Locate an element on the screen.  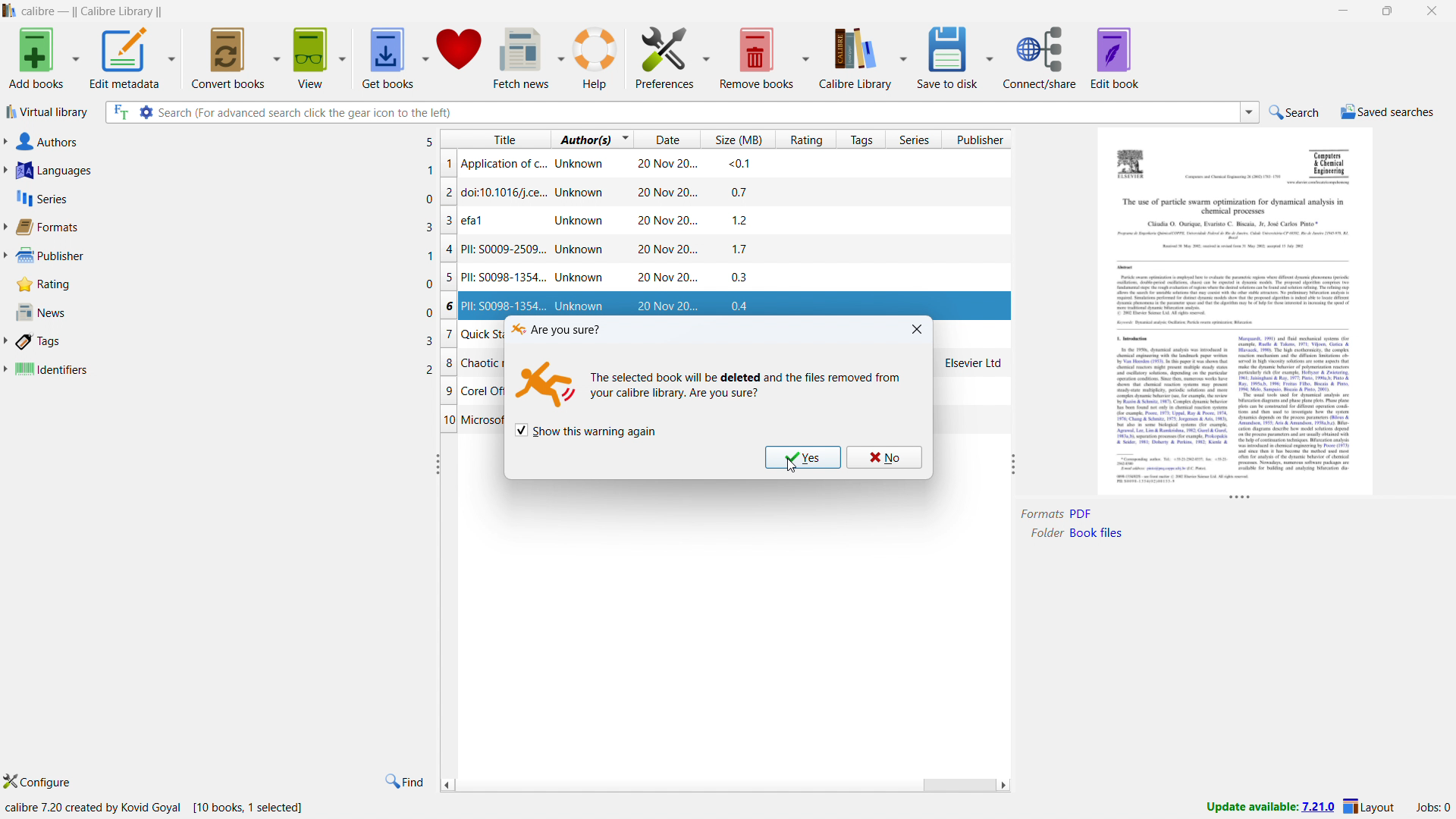
resize is located at coordinates (1239, 500).